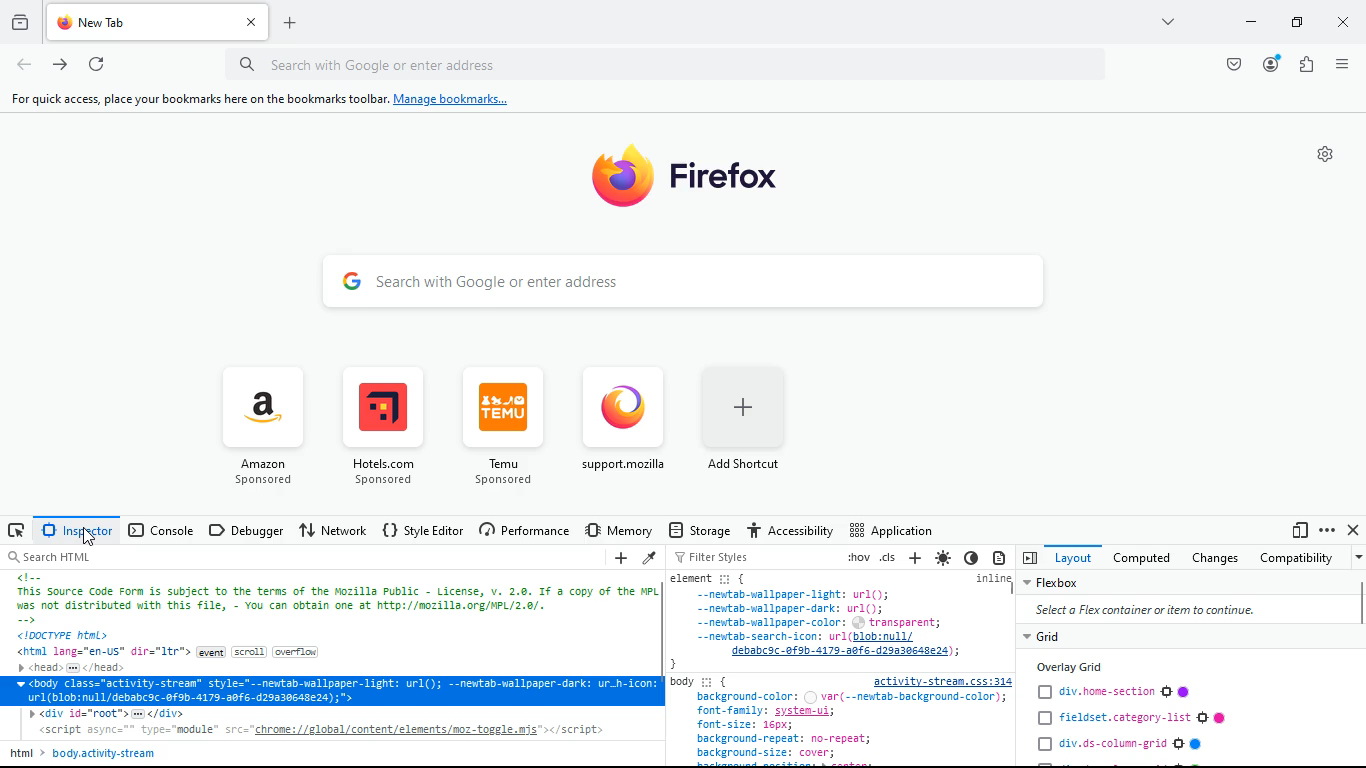 The height and width of the screenshot is (768, 1366). Describe the element at coordinates (510, 430) in the screenshot. I see `temu` at that location.